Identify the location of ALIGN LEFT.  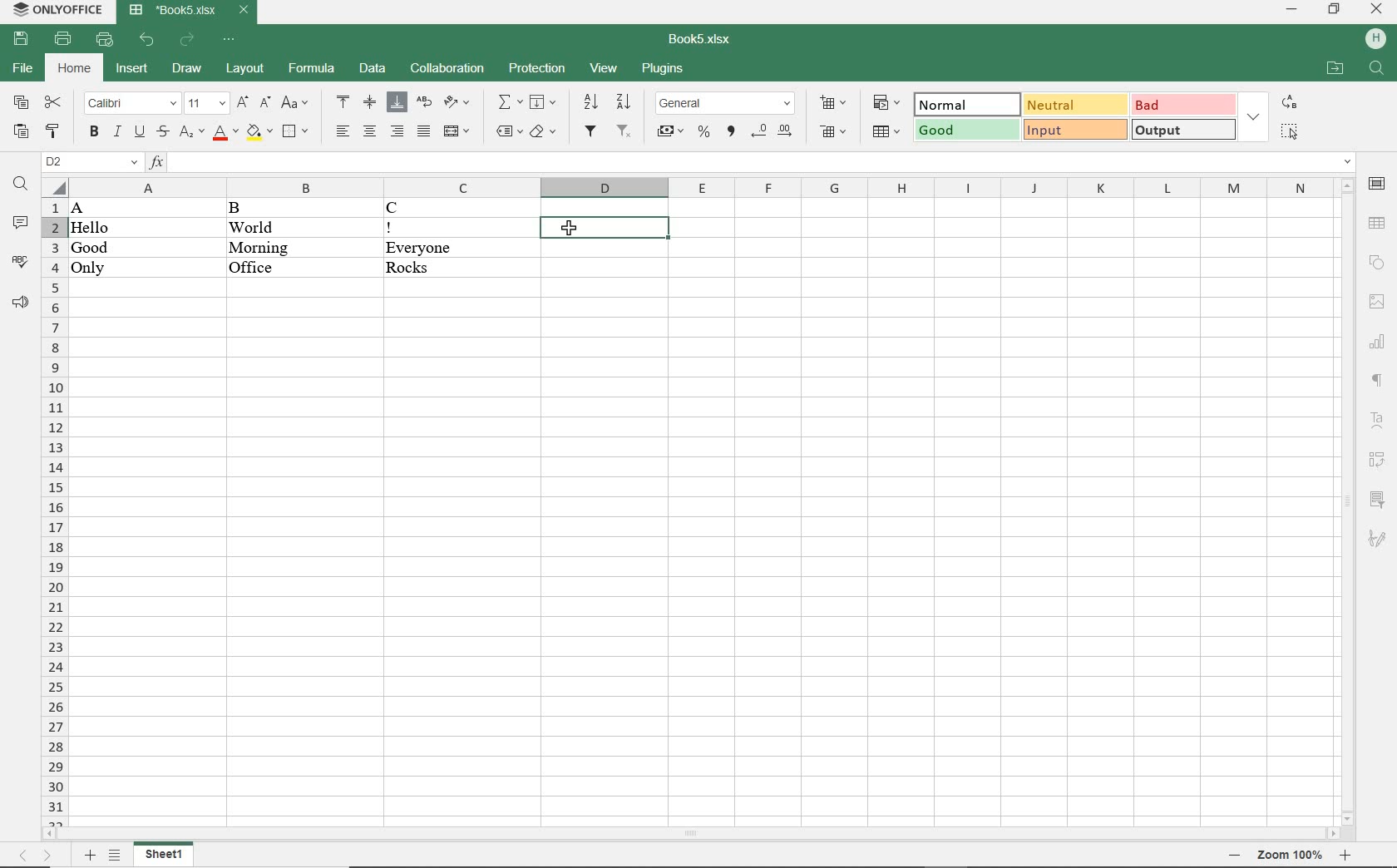
(343, 131).